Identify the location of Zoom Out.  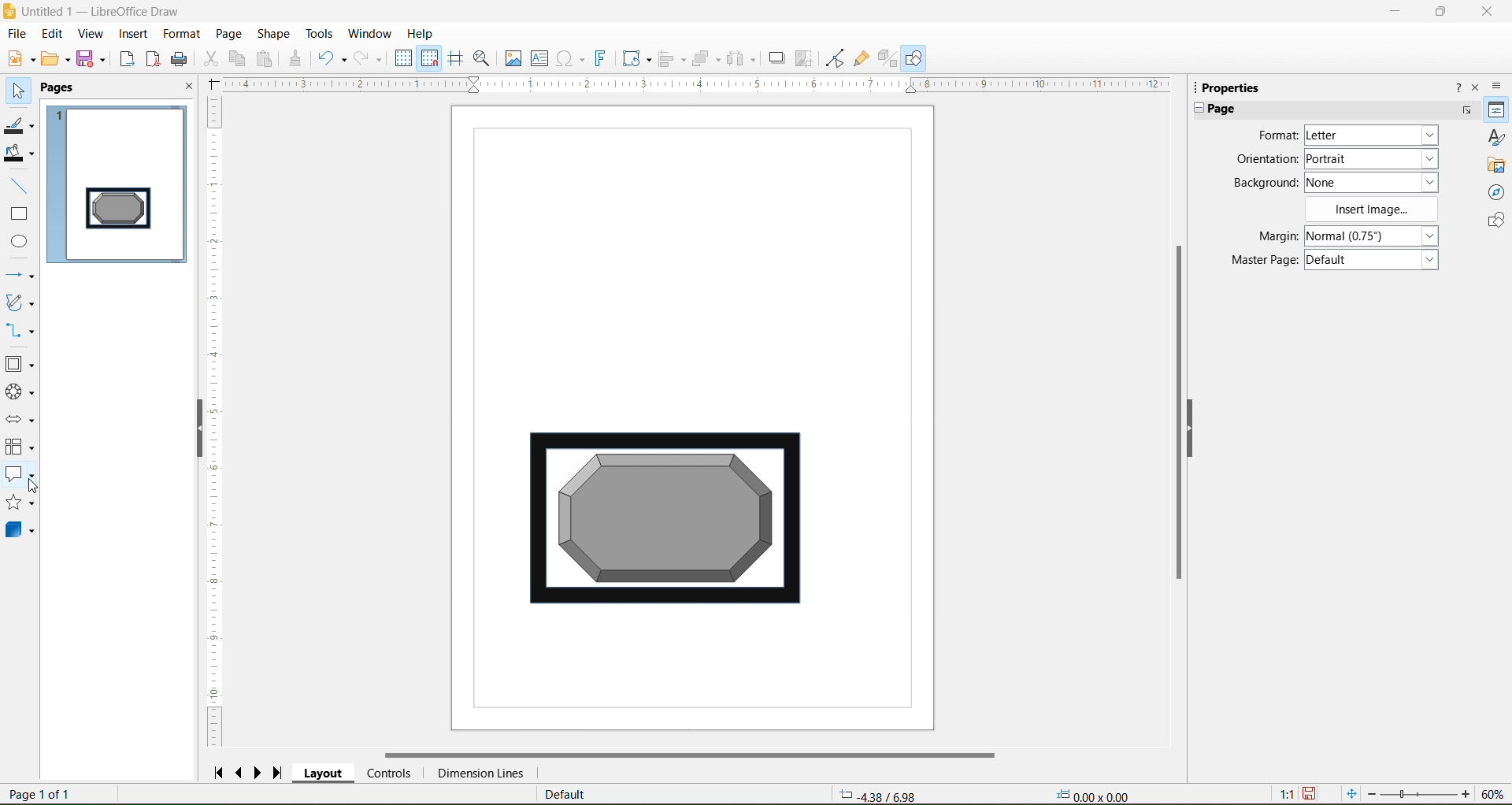
(1371, 793).